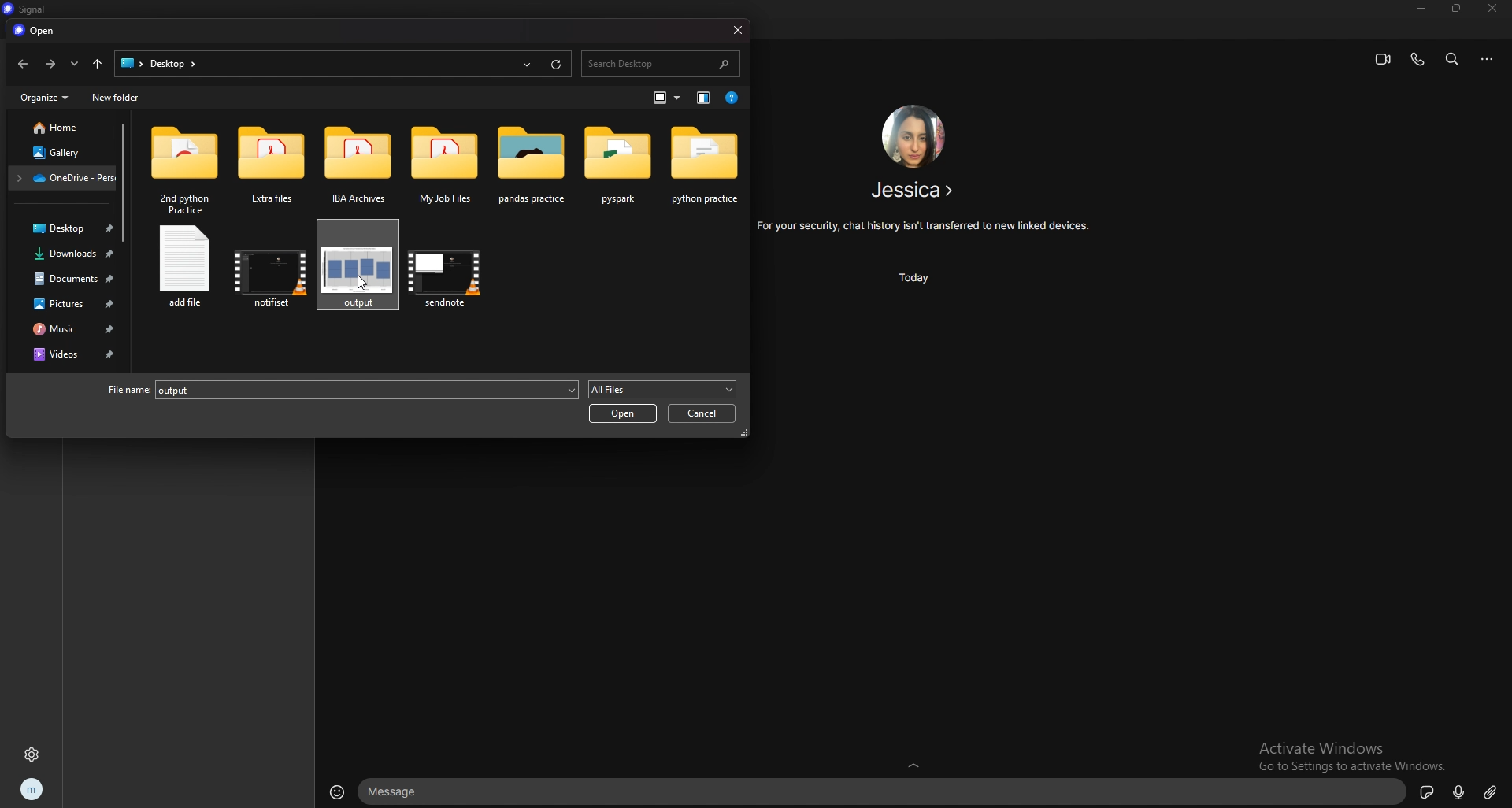 The image size is (1512, 808). What do you see at coordinates (31, 754) in the screenshot?
I see `settings` at bounding box center [31, 754].